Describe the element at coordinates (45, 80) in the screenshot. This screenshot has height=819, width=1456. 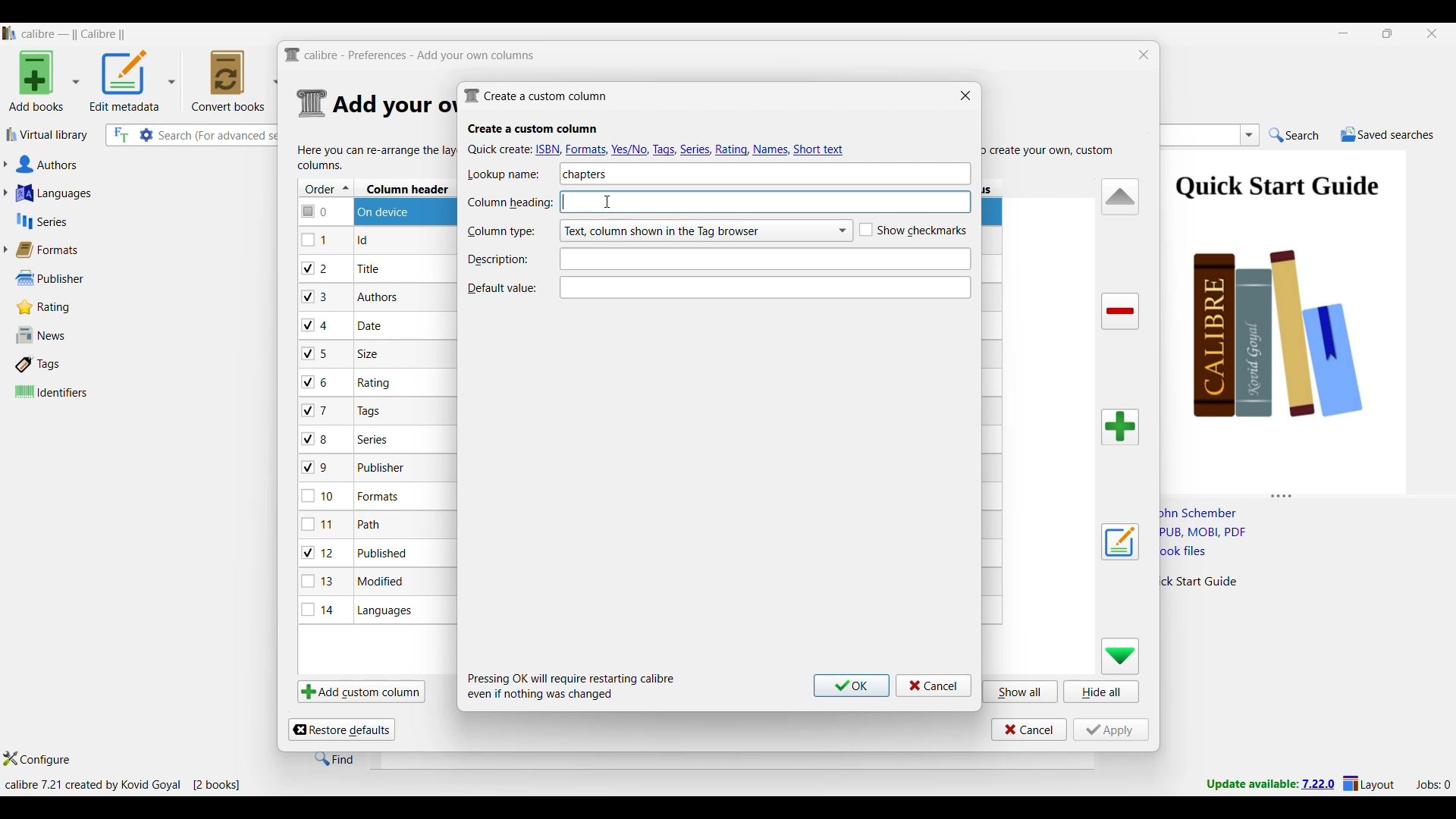
I see `Add book options` at that location.